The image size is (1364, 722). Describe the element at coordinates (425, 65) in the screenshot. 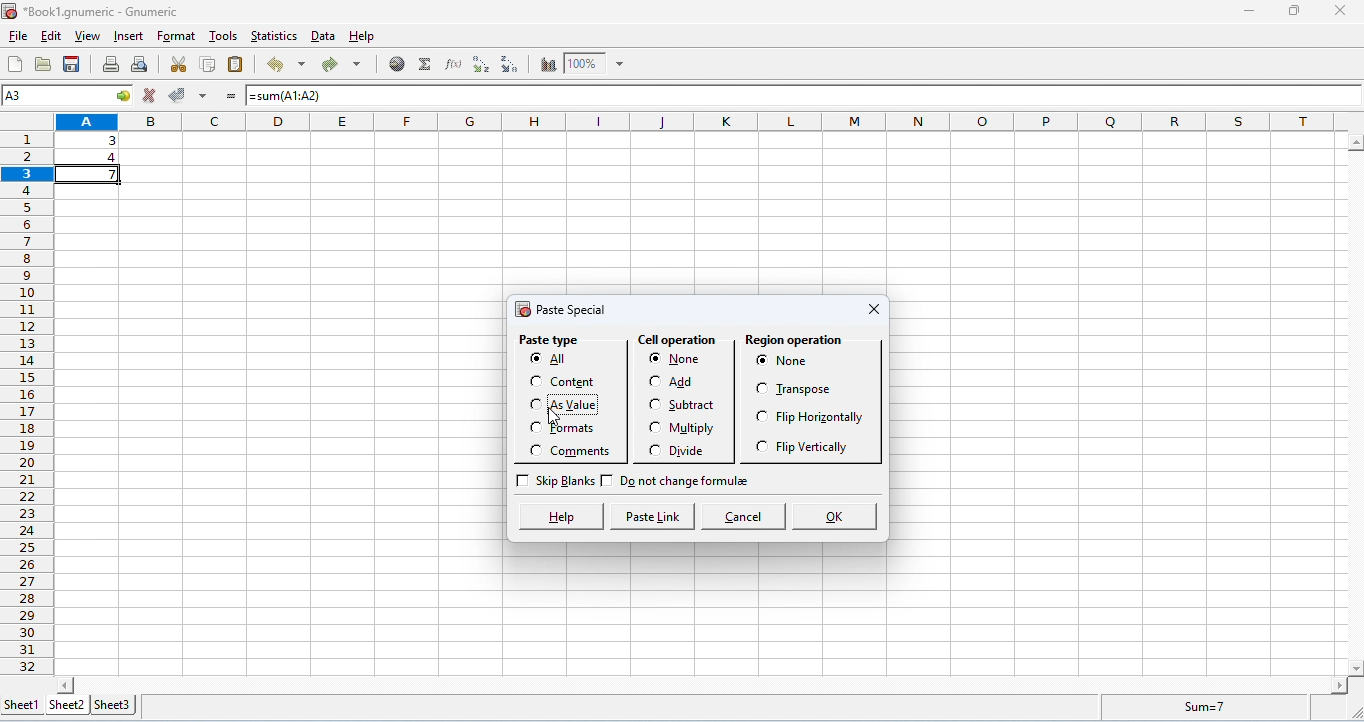

I see `select function` at that location.